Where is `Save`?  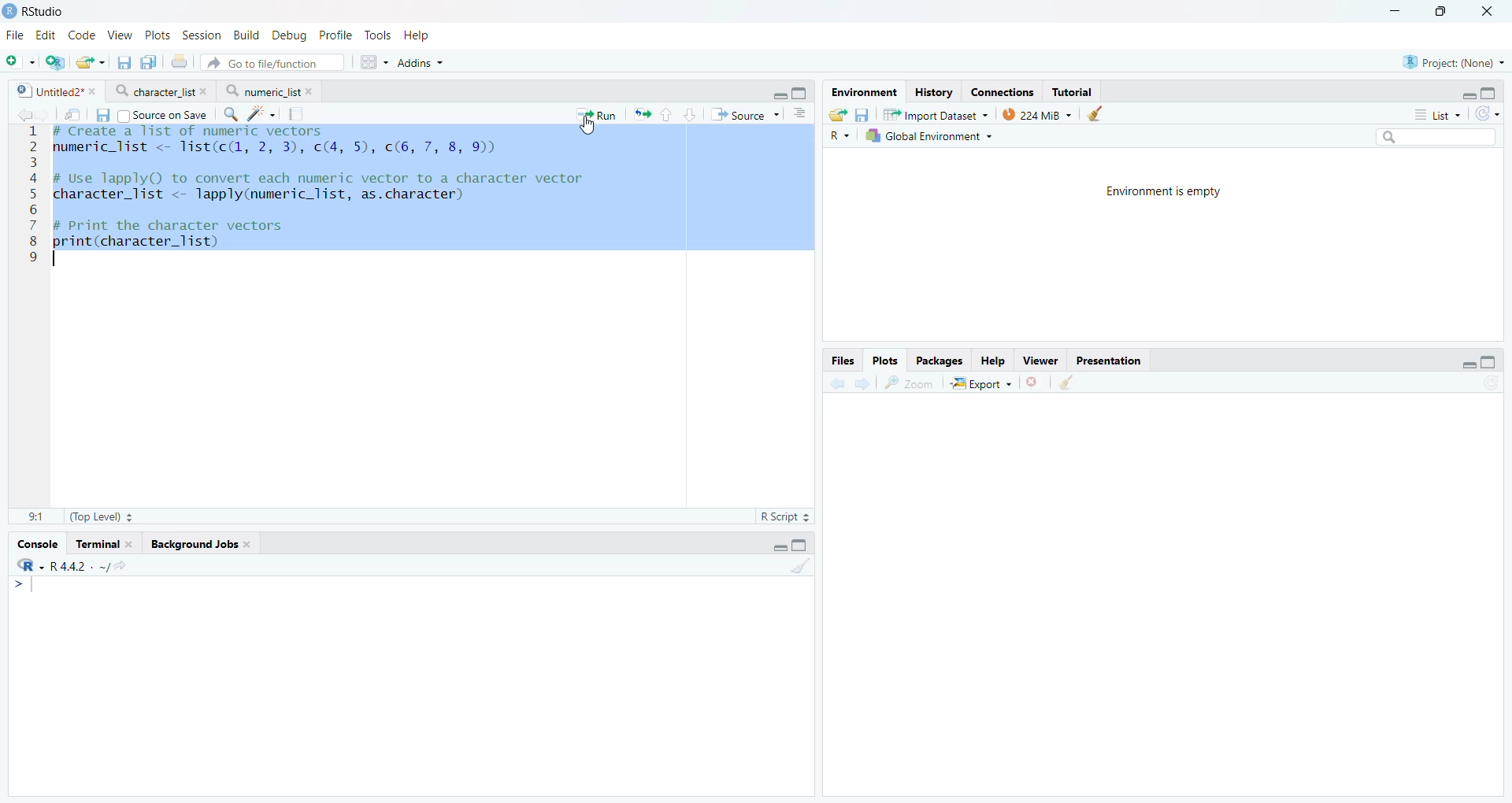 Save is located at coordinates (863, 113).